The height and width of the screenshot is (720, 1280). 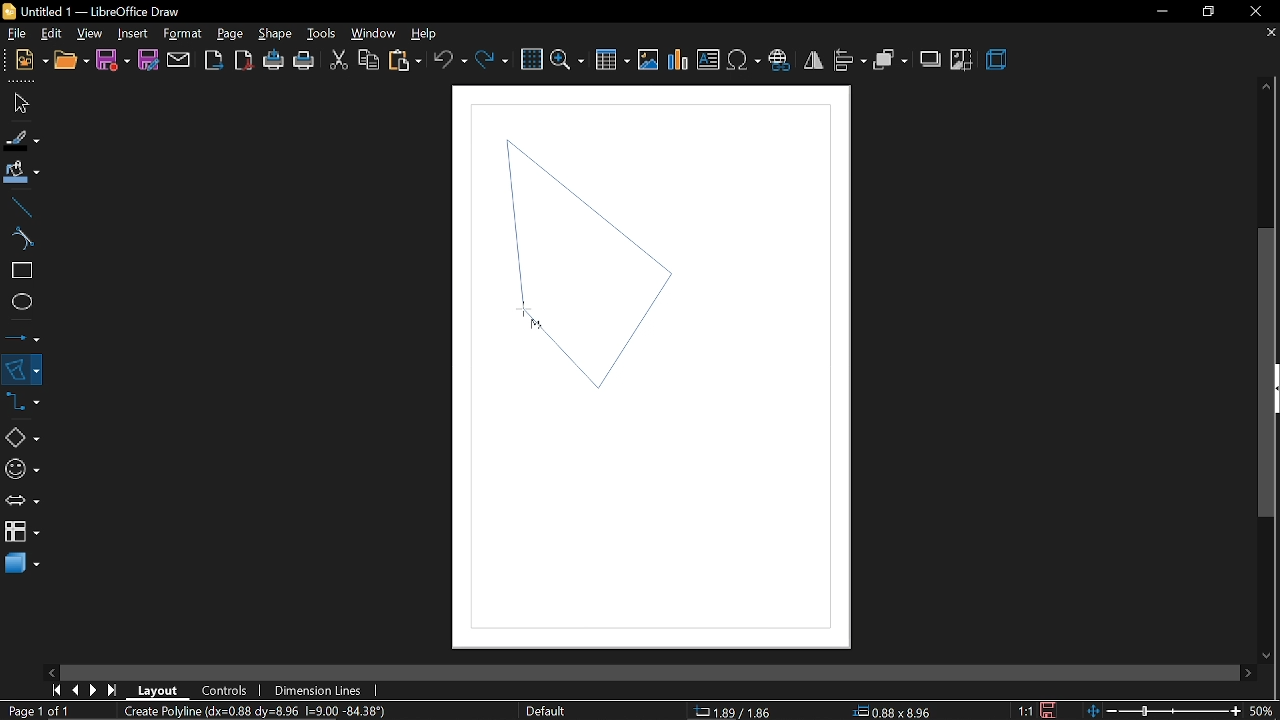 What do you see at coordinates (742, 711) in the screenshot?
I see `co-ordinate 22.70/12.93` at bounding box center [742, 711].